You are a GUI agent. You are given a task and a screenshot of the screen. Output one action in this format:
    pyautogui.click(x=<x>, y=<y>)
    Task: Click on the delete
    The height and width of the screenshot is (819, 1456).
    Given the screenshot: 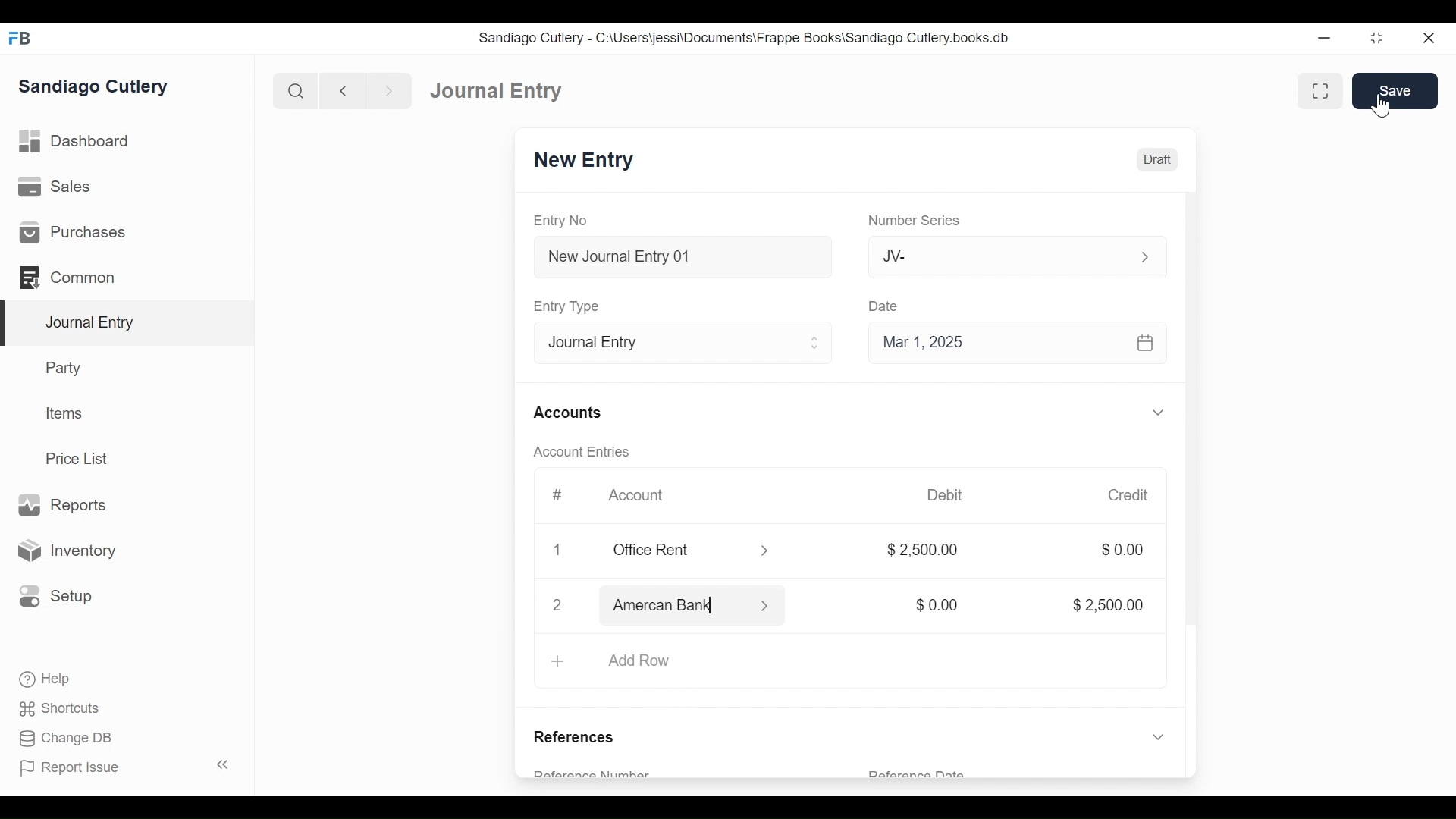 What is the action you would take?
    pyautogui.click(x=554, y=551)
    